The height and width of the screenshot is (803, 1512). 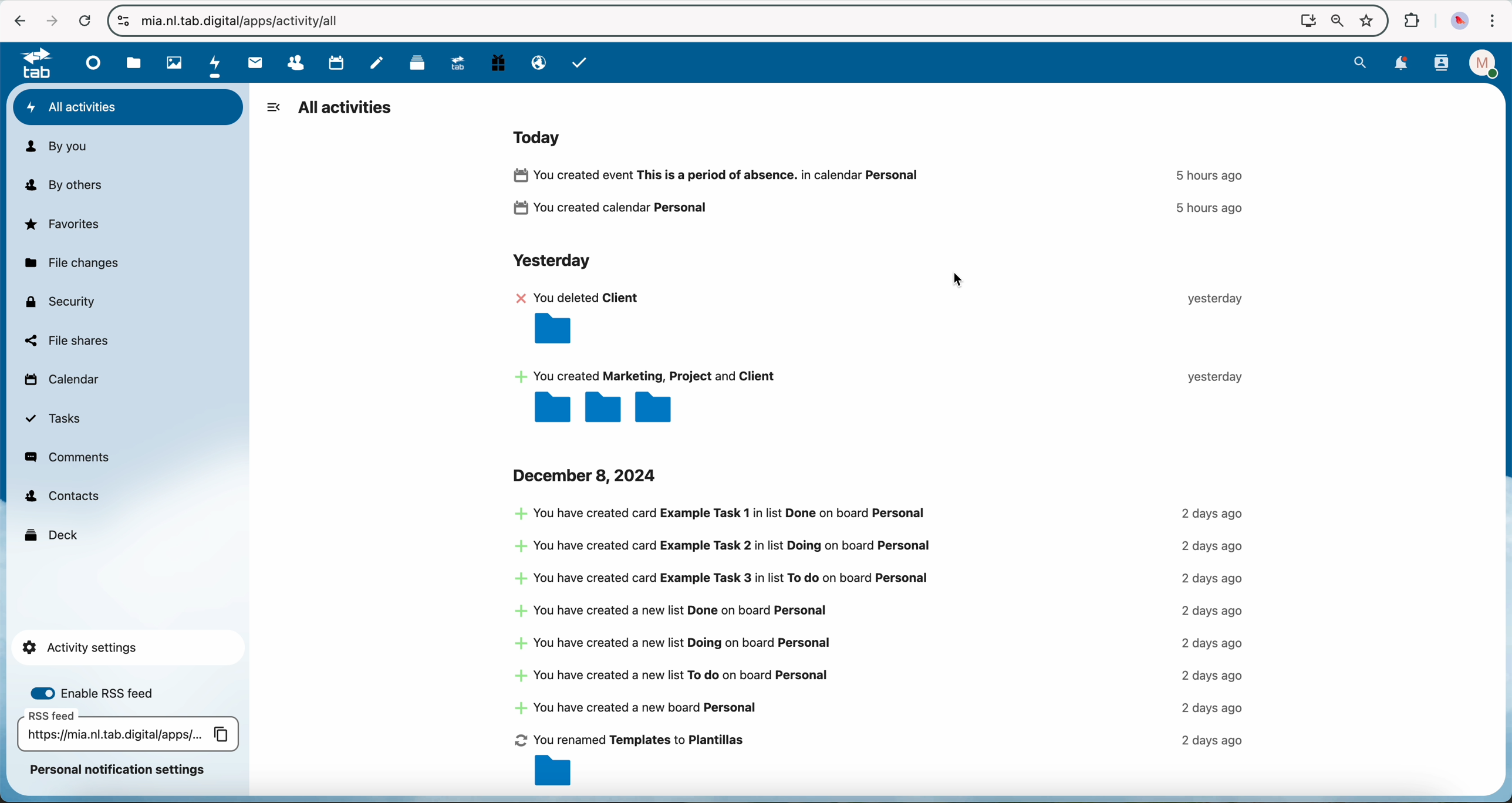 What do you see at coordinates (885, 194) in the screenshot?
I see `activity` at bounding box center [885, 194].